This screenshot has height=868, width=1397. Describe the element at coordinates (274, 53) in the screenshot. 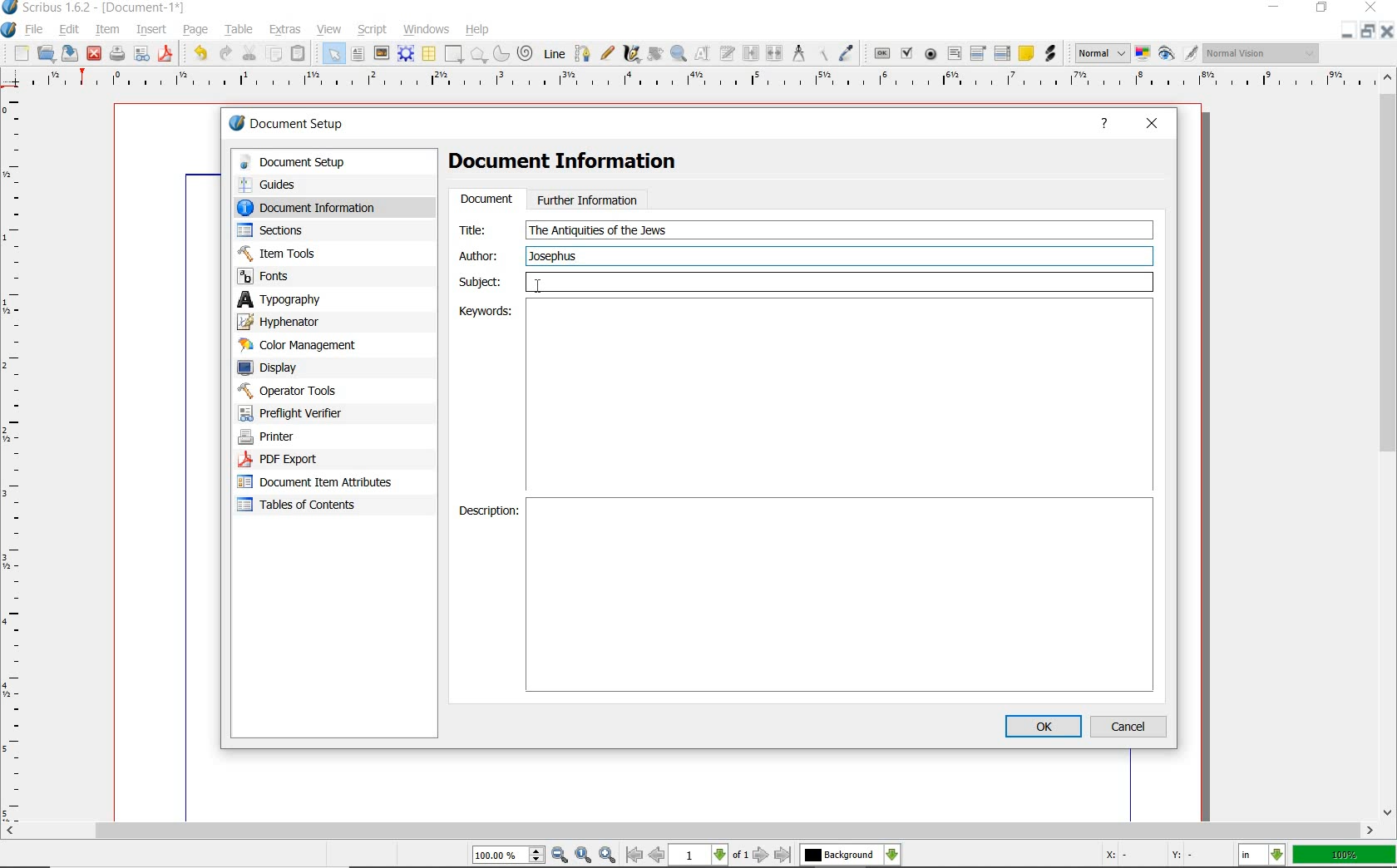

I see `copy` at that location.